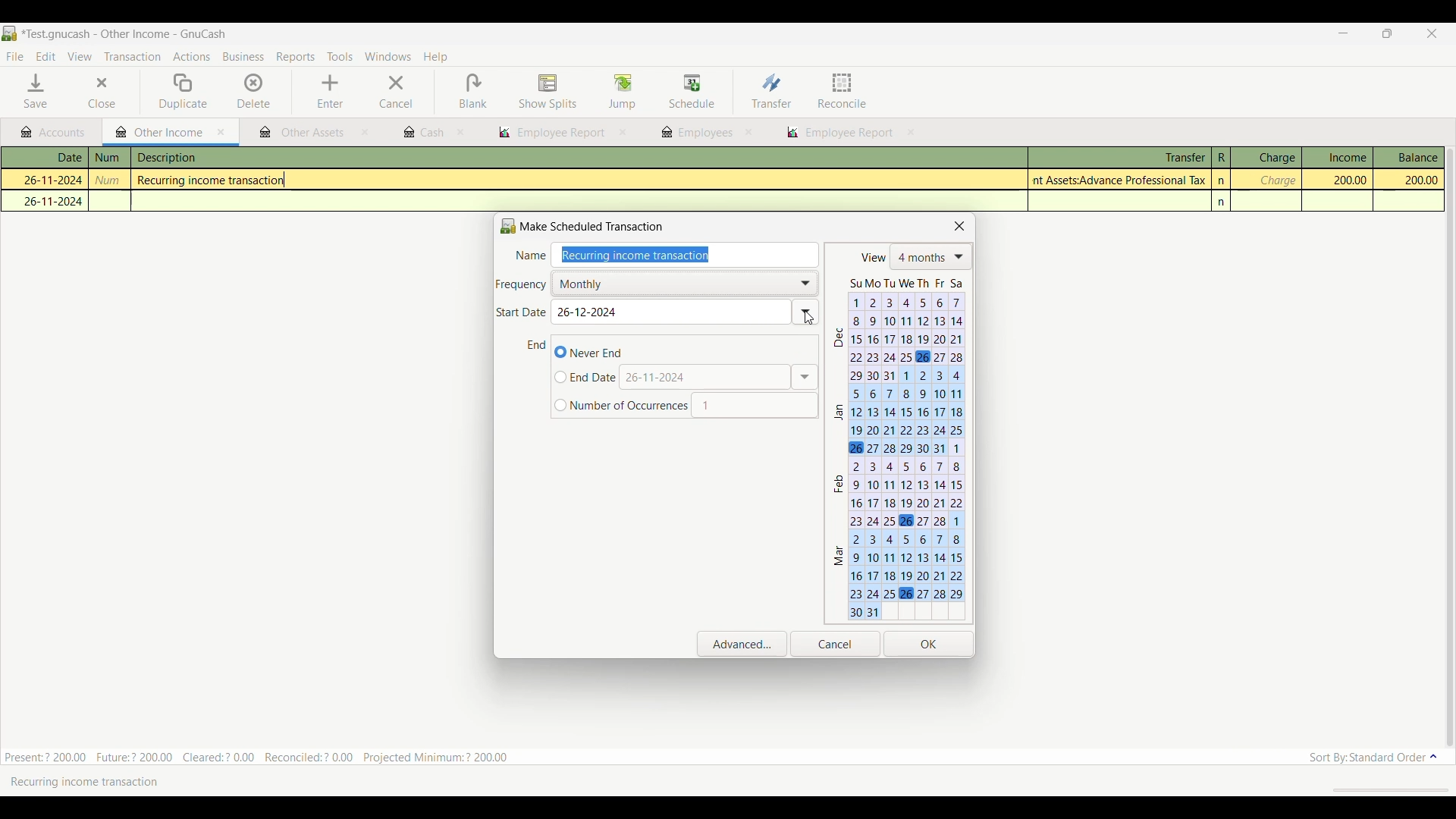  I want to click on Help menu, so click(436, 58).